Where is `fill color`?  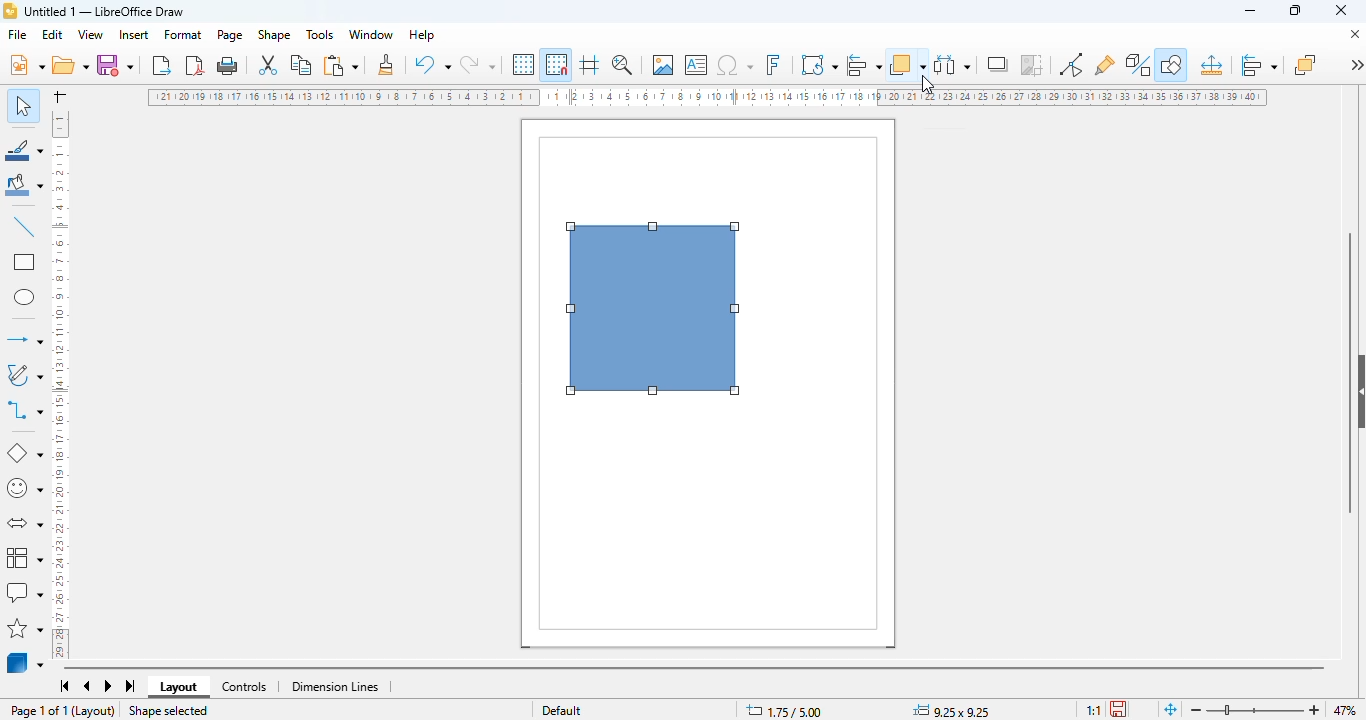
fill color is located at coordinates (25, 185).